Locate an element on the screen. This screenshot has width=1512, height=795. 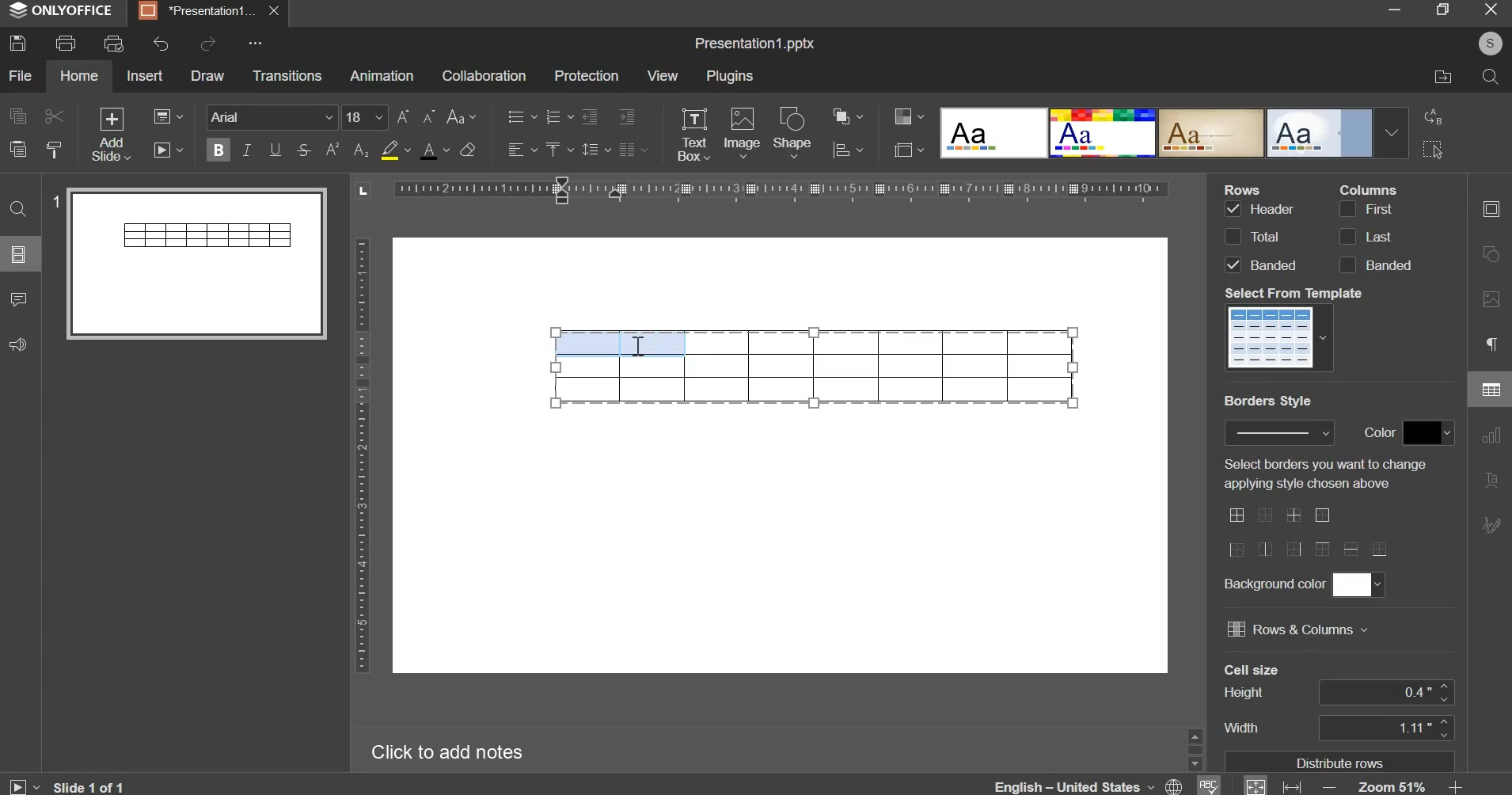
rows & columns is located at coordinates (1297, 629).